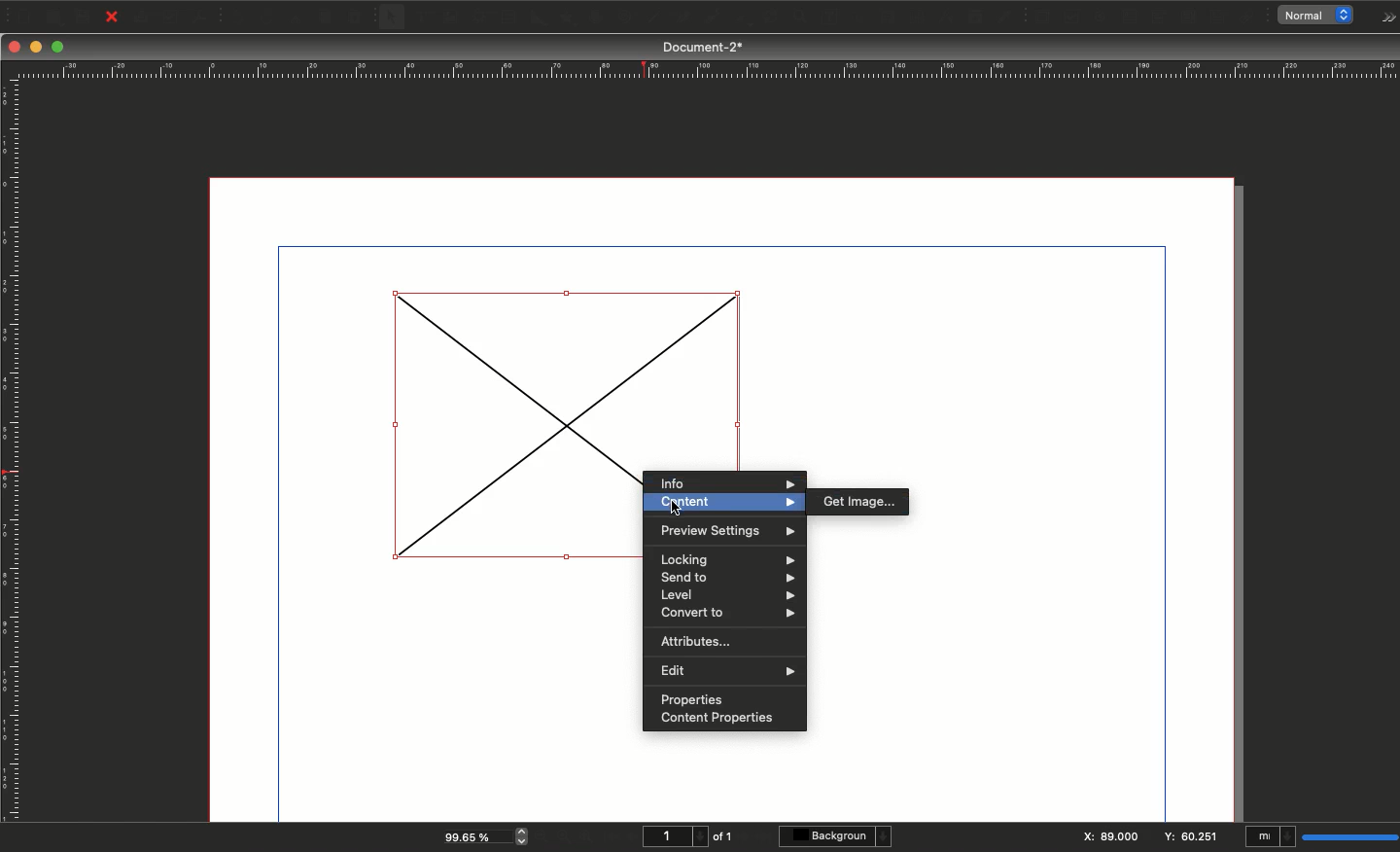 The height and width of the screenshot is (852, 1400). I want to click on Print, so click(142, 18).